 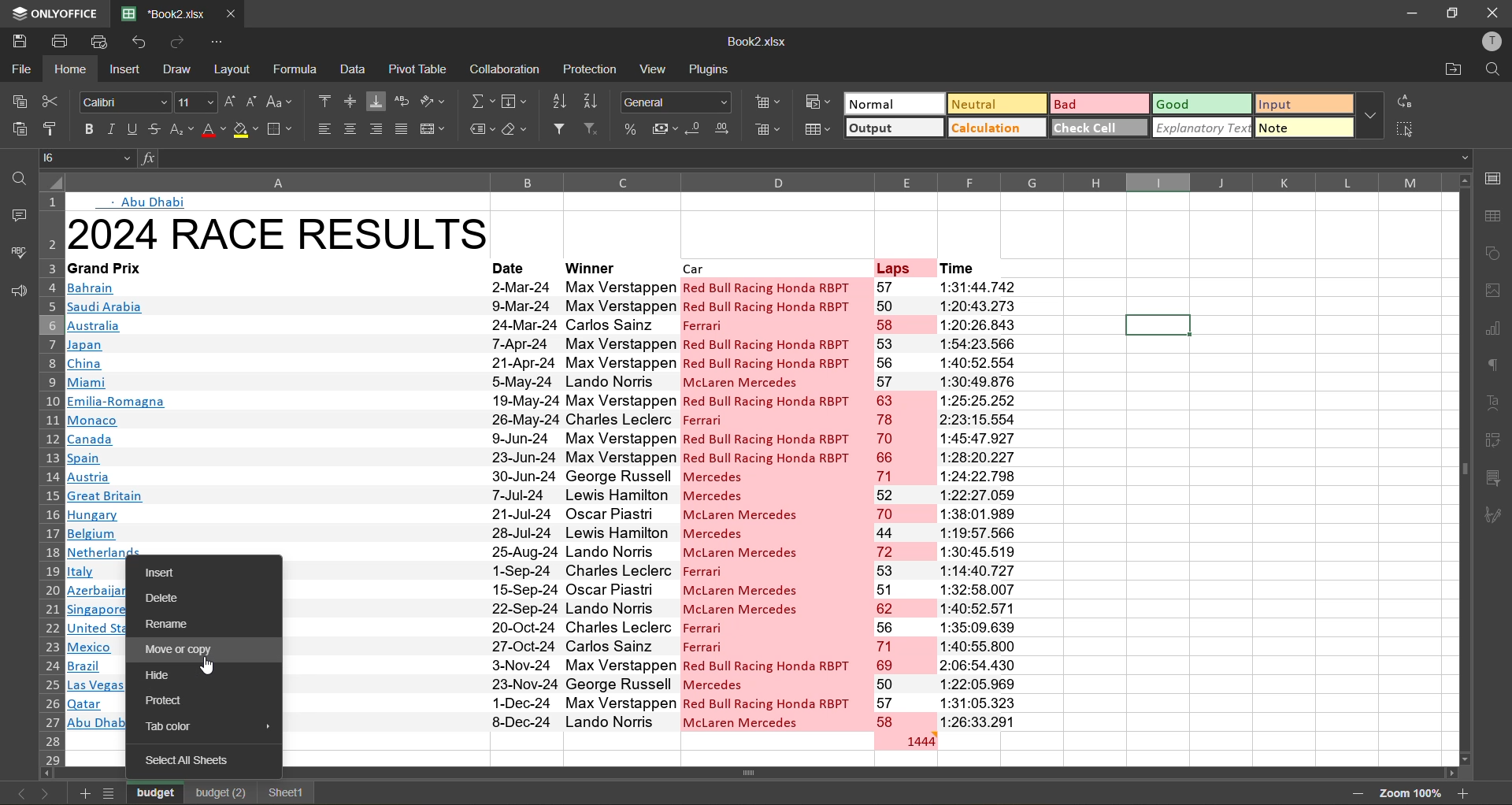 I want to click on call settings, so click(x=1492, y=178).